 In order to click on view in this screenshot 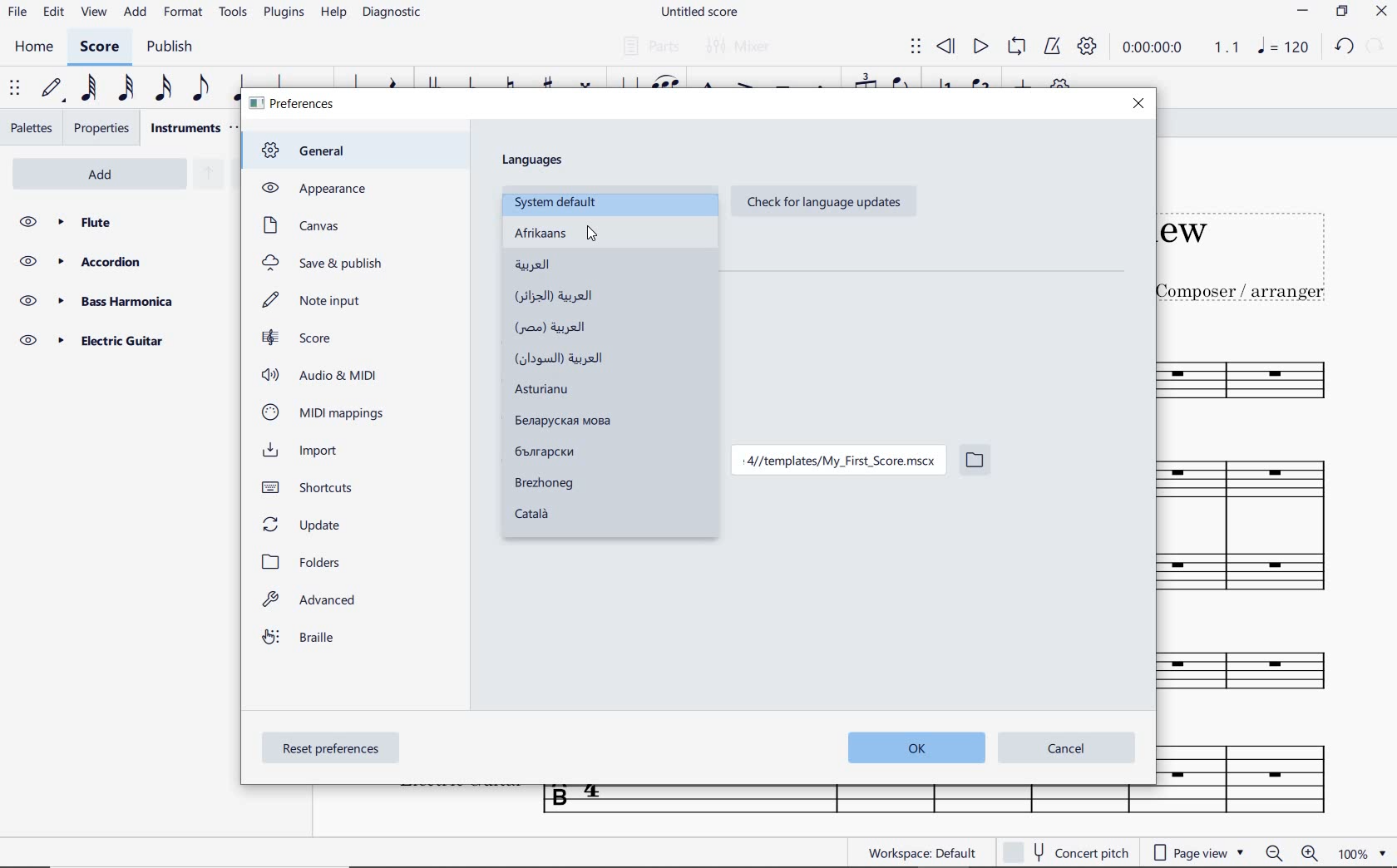, I will do `click(91, 16)`.